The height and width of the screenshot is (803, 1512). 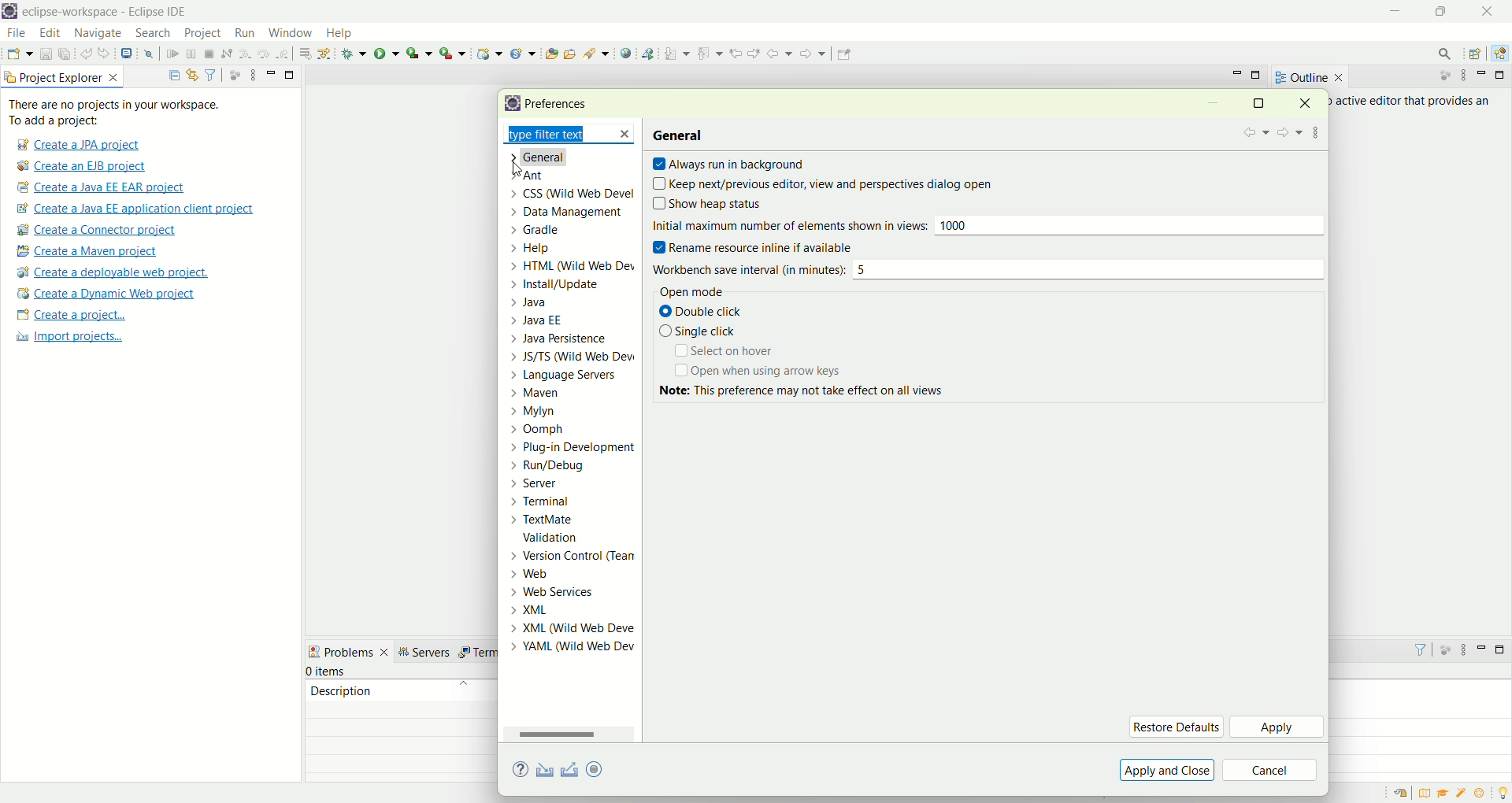 I want to click on forward, so click(x=1288, y=134).